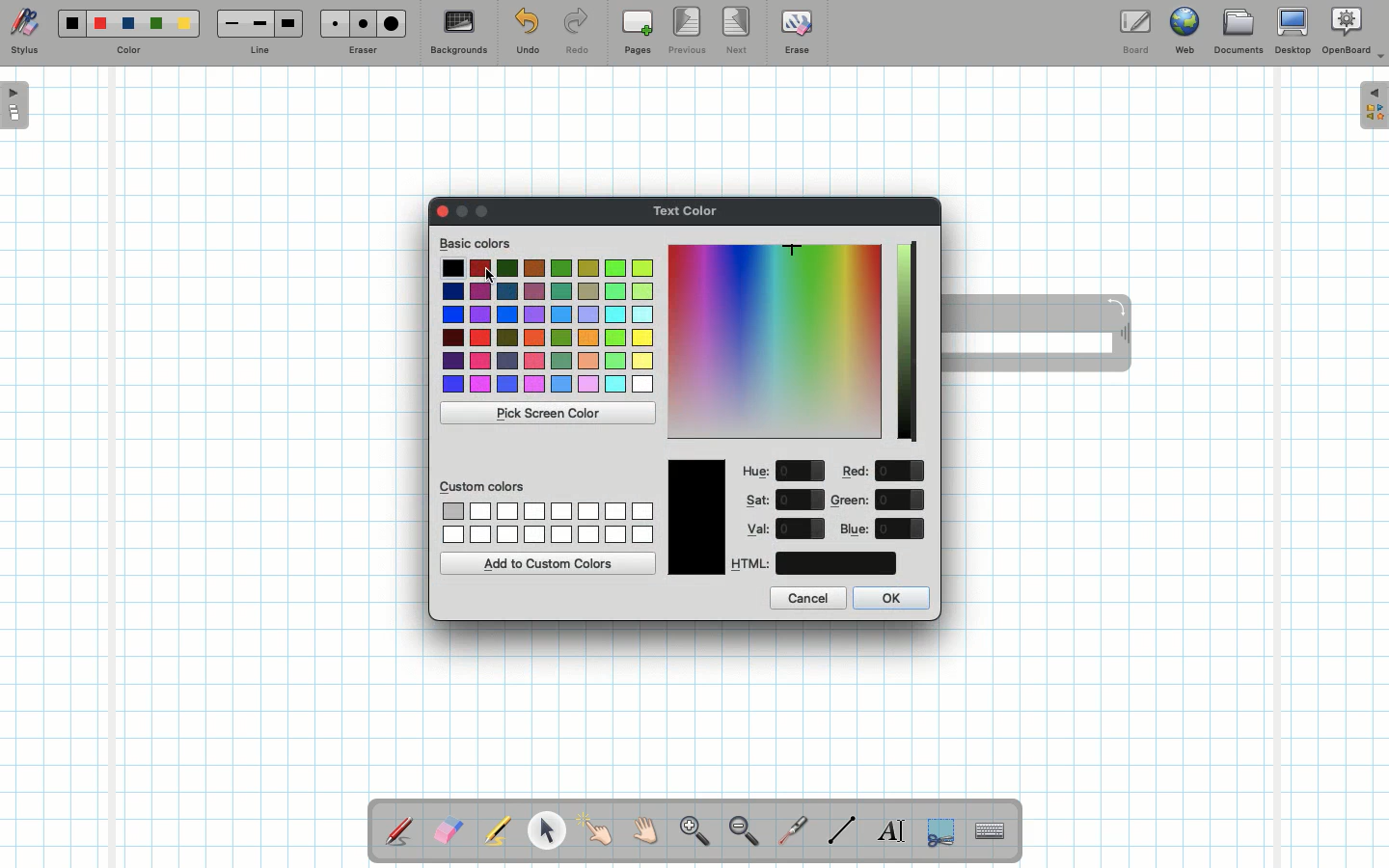  Describe the element at coordinates (596, 830) in the screenshot. I see `Pointer` at that location.